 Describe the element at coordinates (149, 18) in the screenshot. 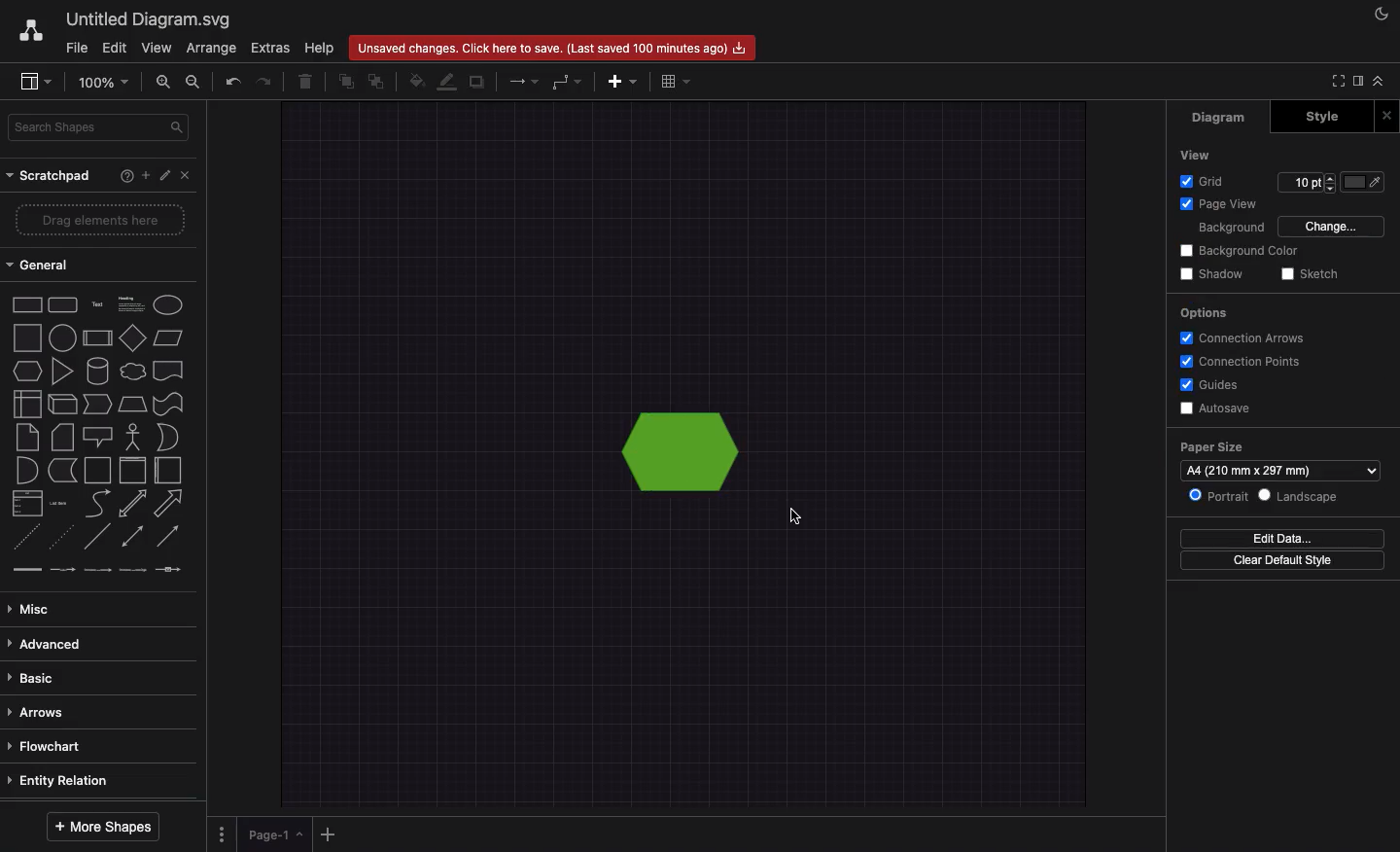

I see `Untitled diagram.svg` at that location.